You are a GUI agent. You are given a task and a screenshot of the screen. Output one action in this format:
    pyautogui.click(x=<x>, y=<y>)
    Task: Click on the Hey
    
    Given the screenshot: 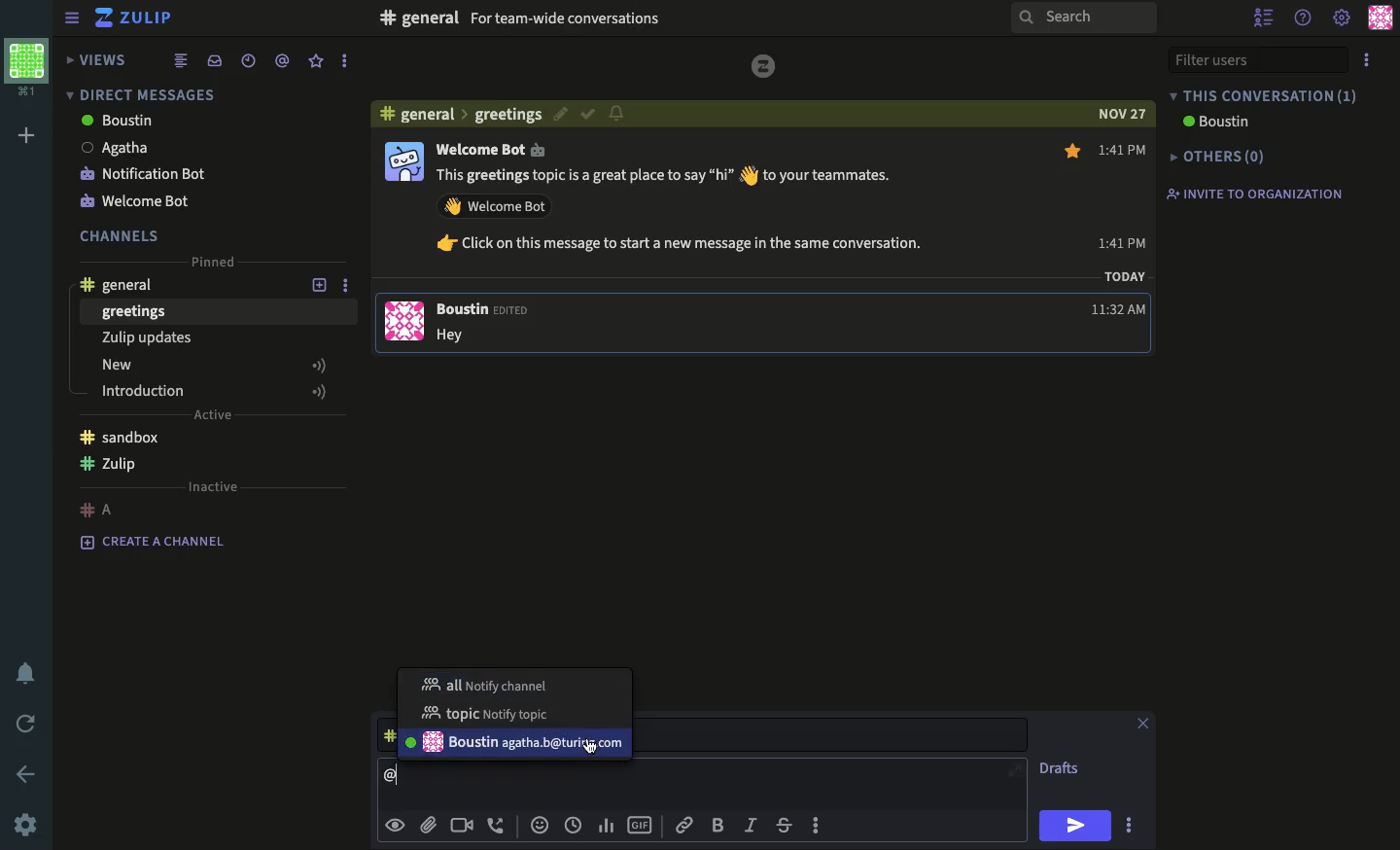 What is the action you would take?
    pyautogui.click(x=460, y=336)
    